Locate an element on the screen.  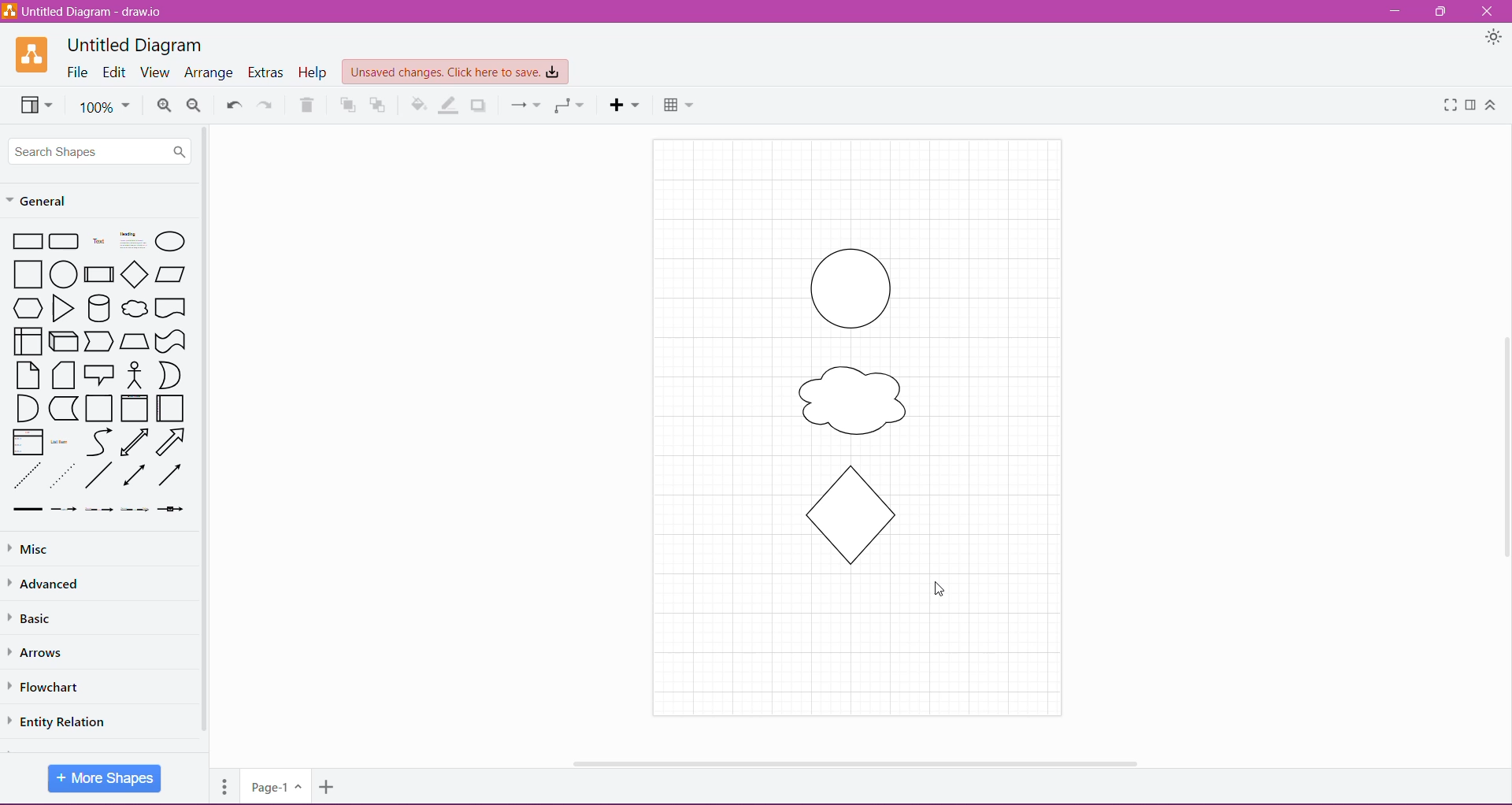
Arrows is located at coordinates (41, 651).